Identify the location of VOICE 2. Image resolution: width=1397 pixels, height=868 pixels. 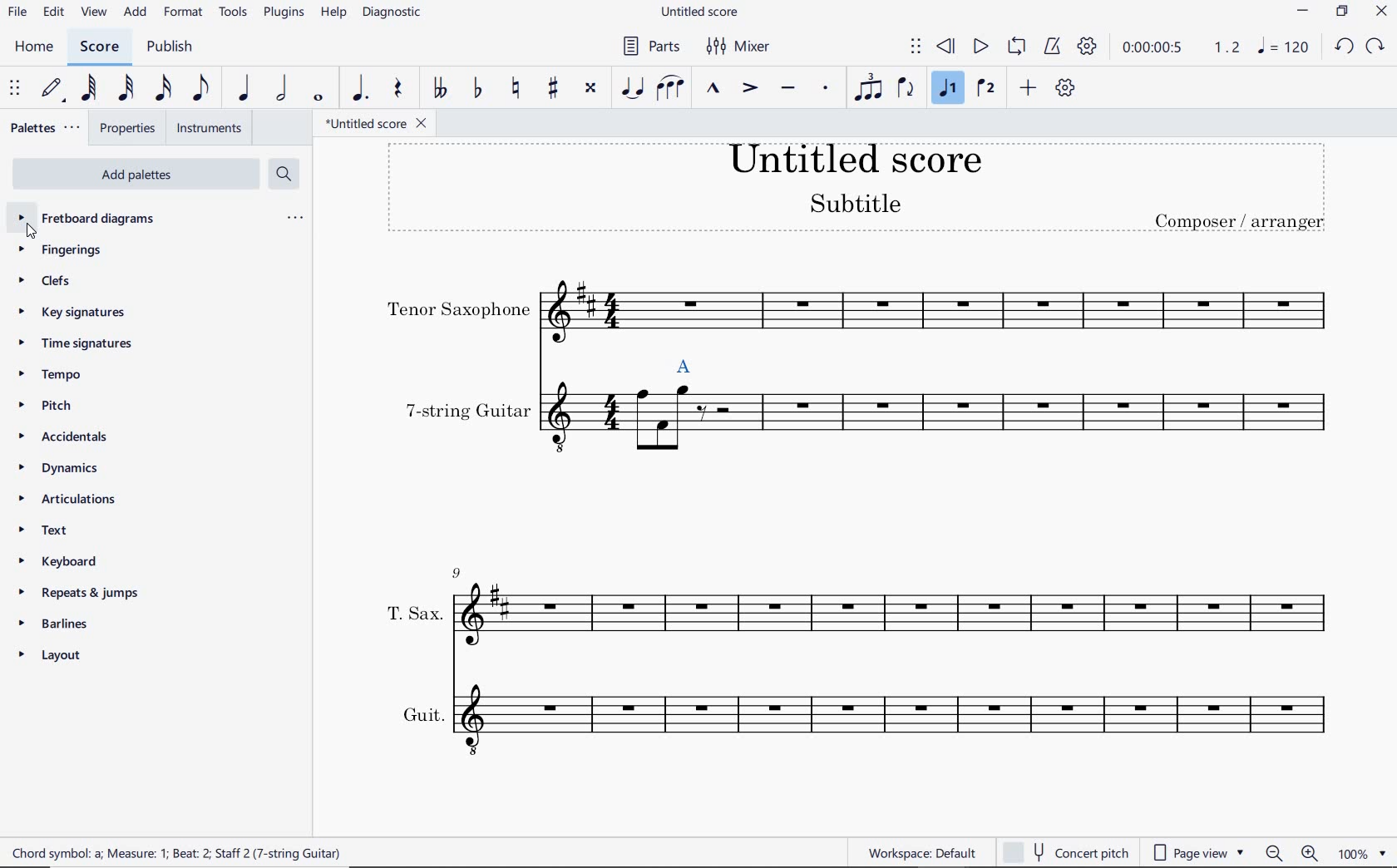
(985, 89).